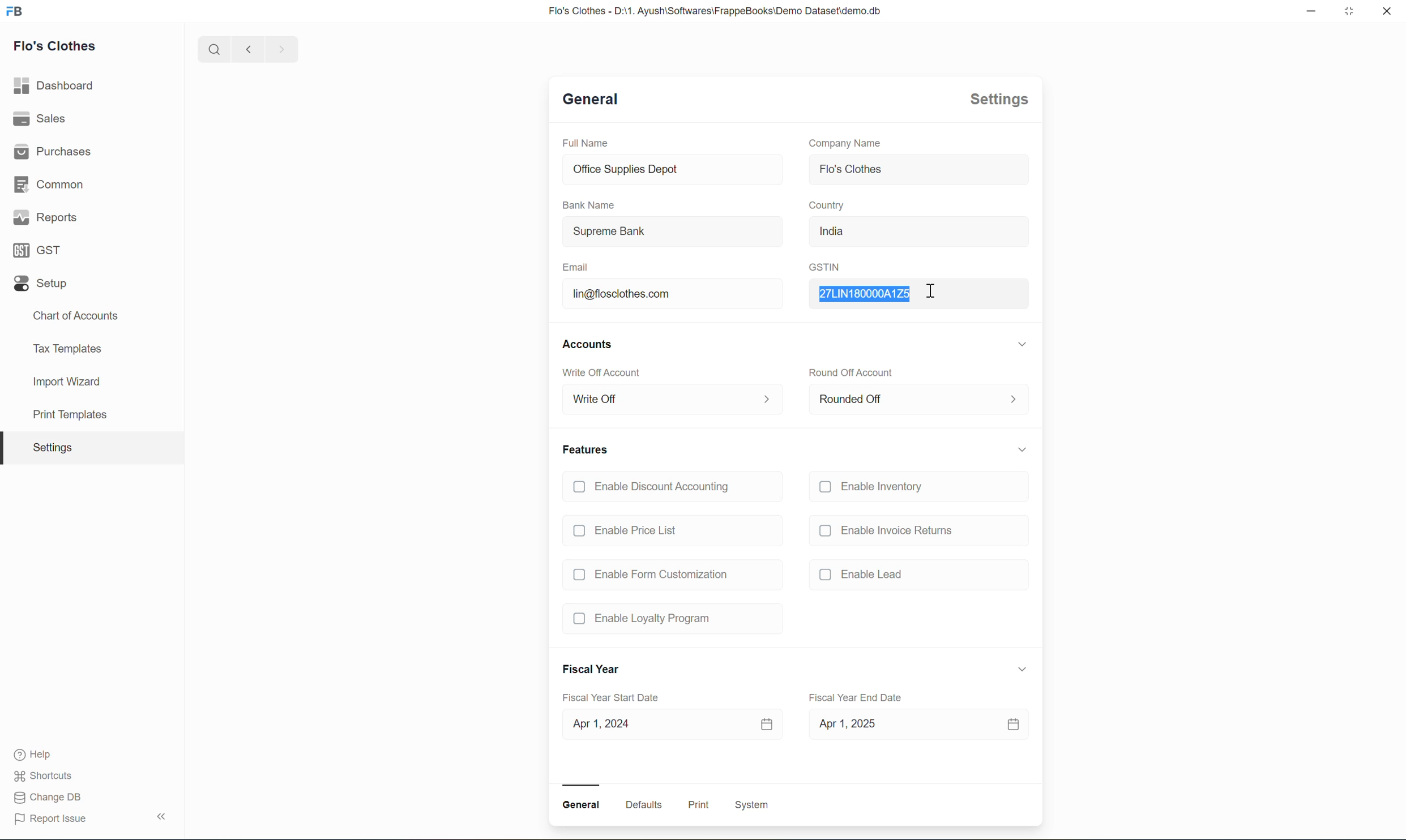 The image size is (1406, 840). I want to click on Enable Price List, so click(627, 530).